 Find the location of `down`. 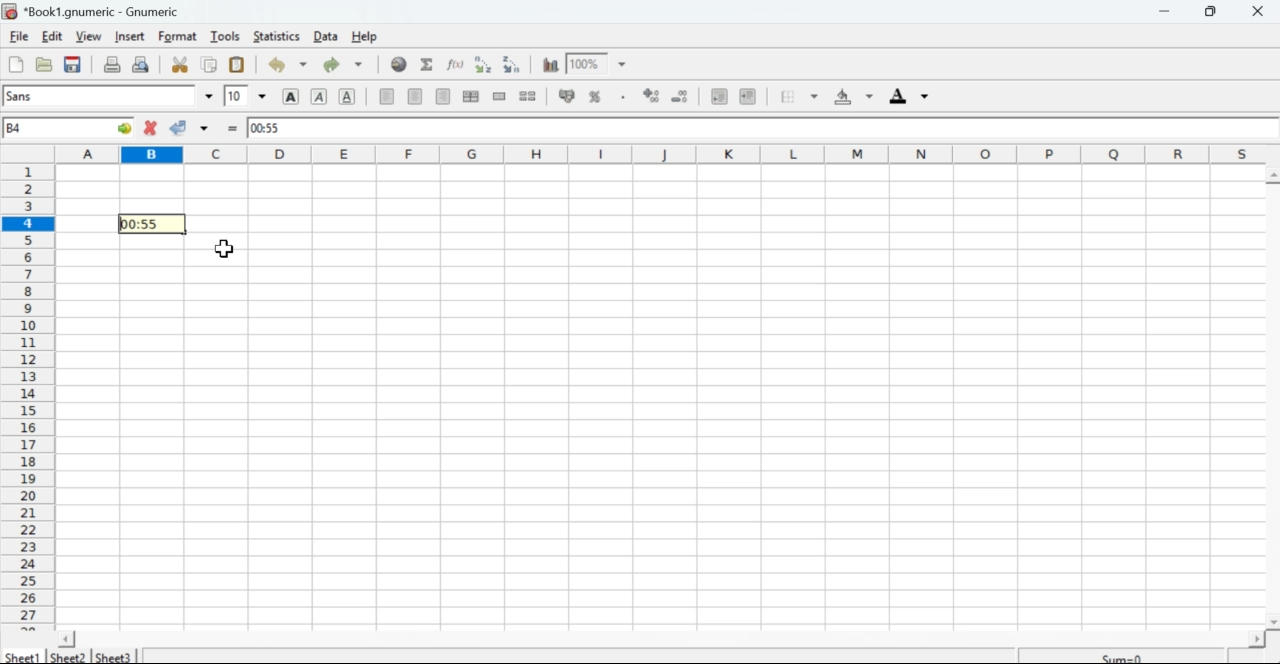

down is located at coordinates (264, 96).